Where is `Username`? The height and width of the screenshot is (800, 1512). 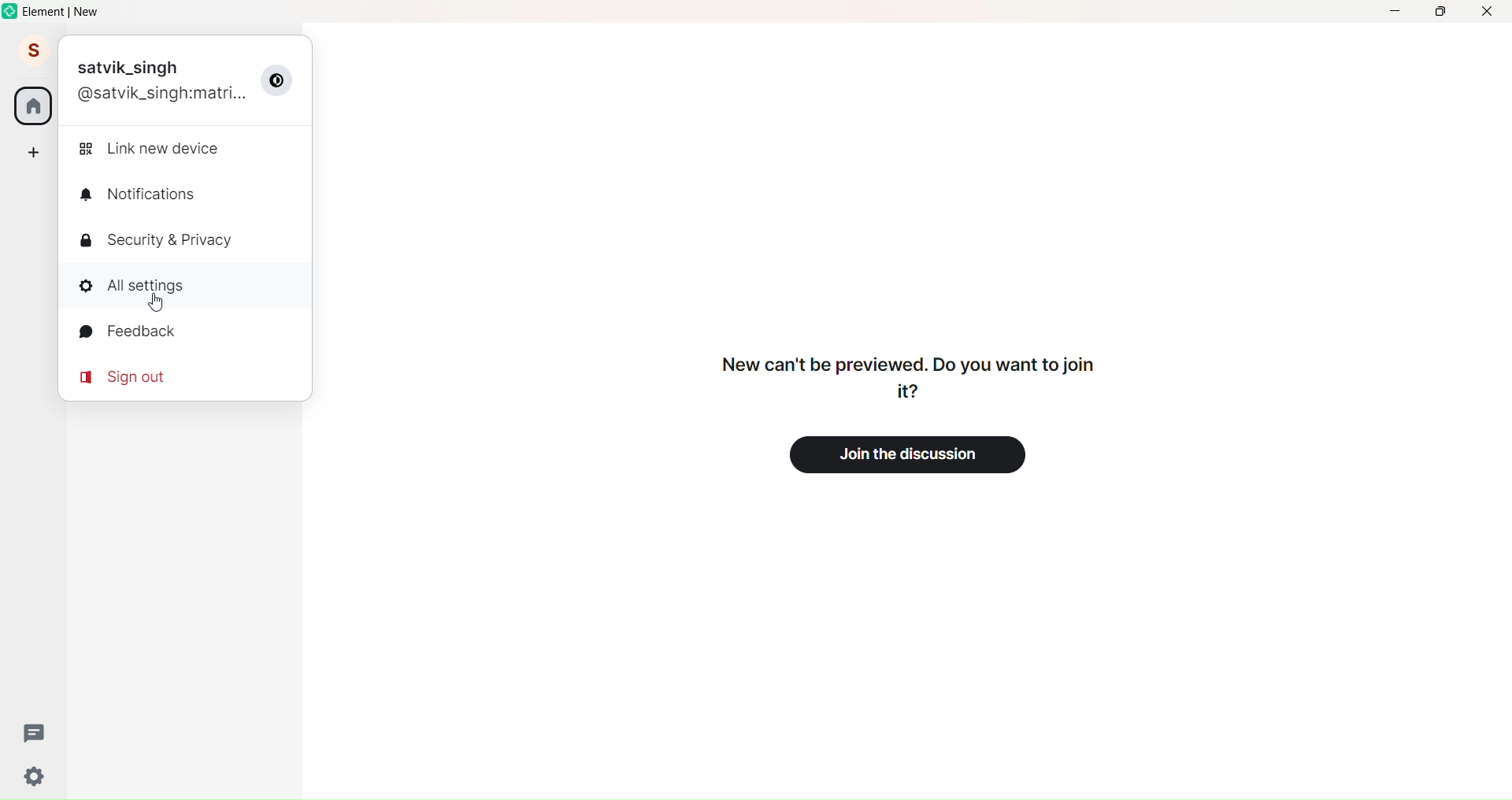
Username is located at coordinates (132, 67).